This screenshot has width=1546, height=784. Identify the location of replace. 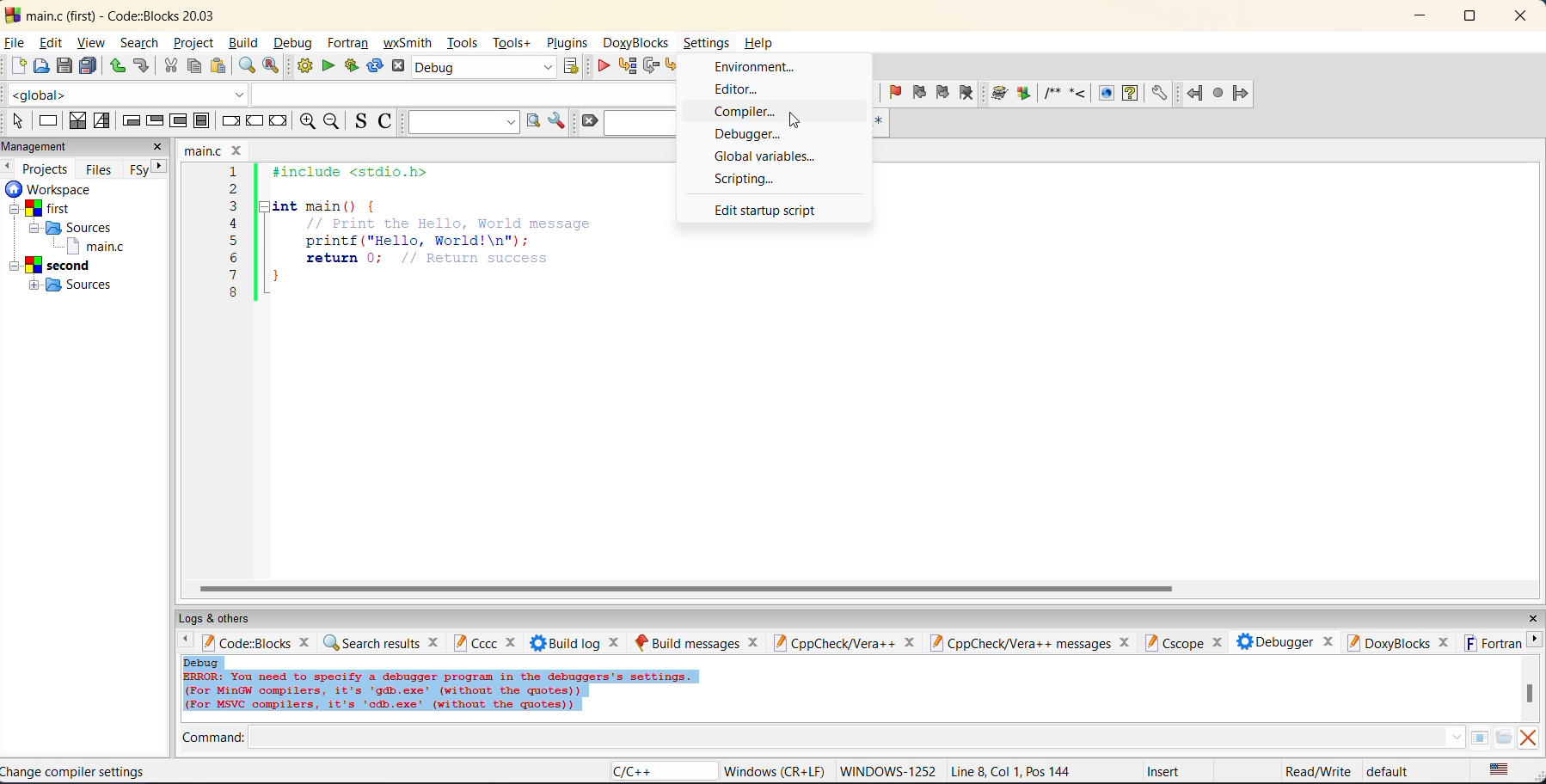
(273, 67).